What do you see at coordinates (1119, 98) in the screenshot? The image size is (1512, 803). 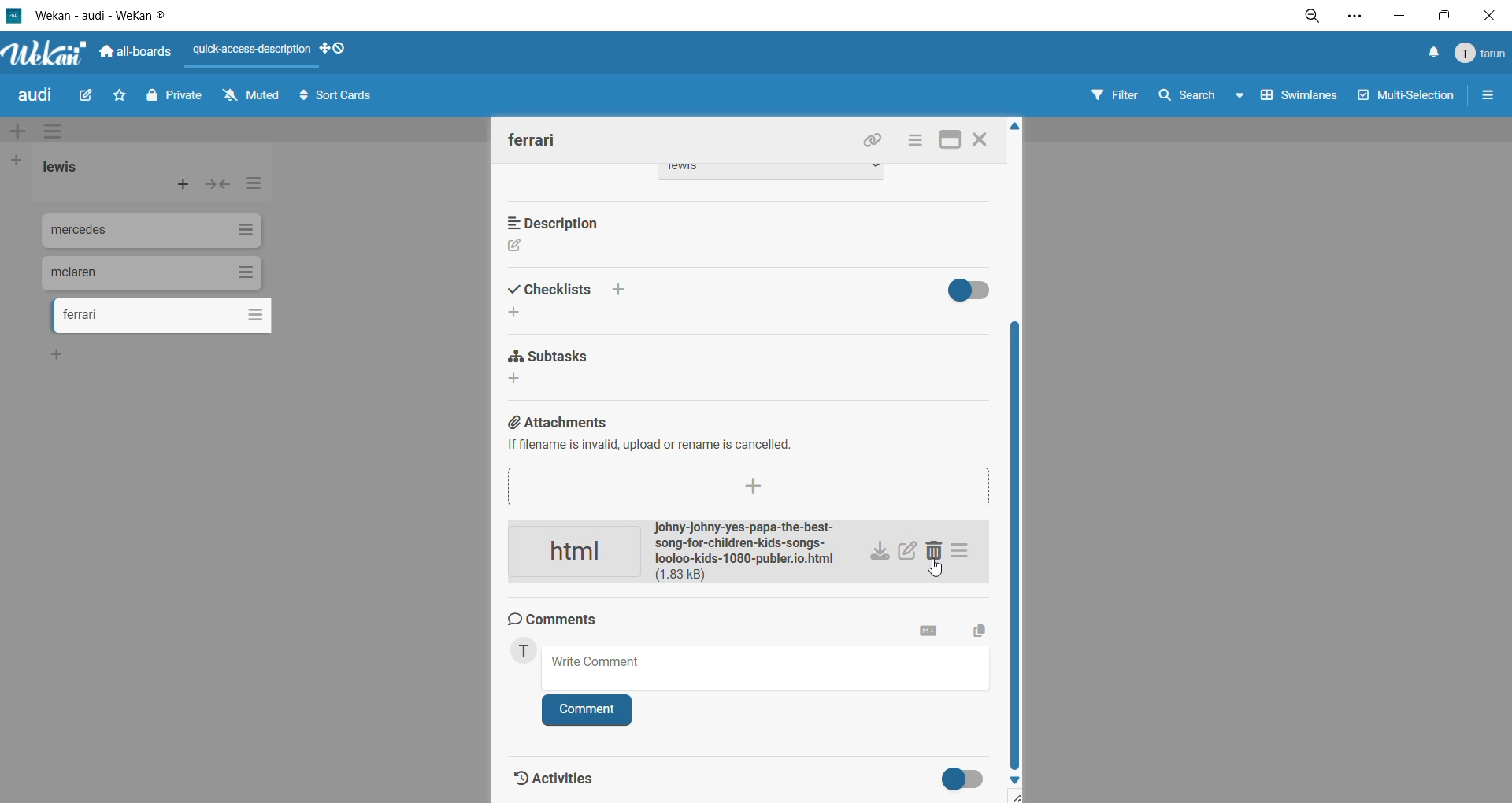 I see `filter` at bounding box center [1119, 98].